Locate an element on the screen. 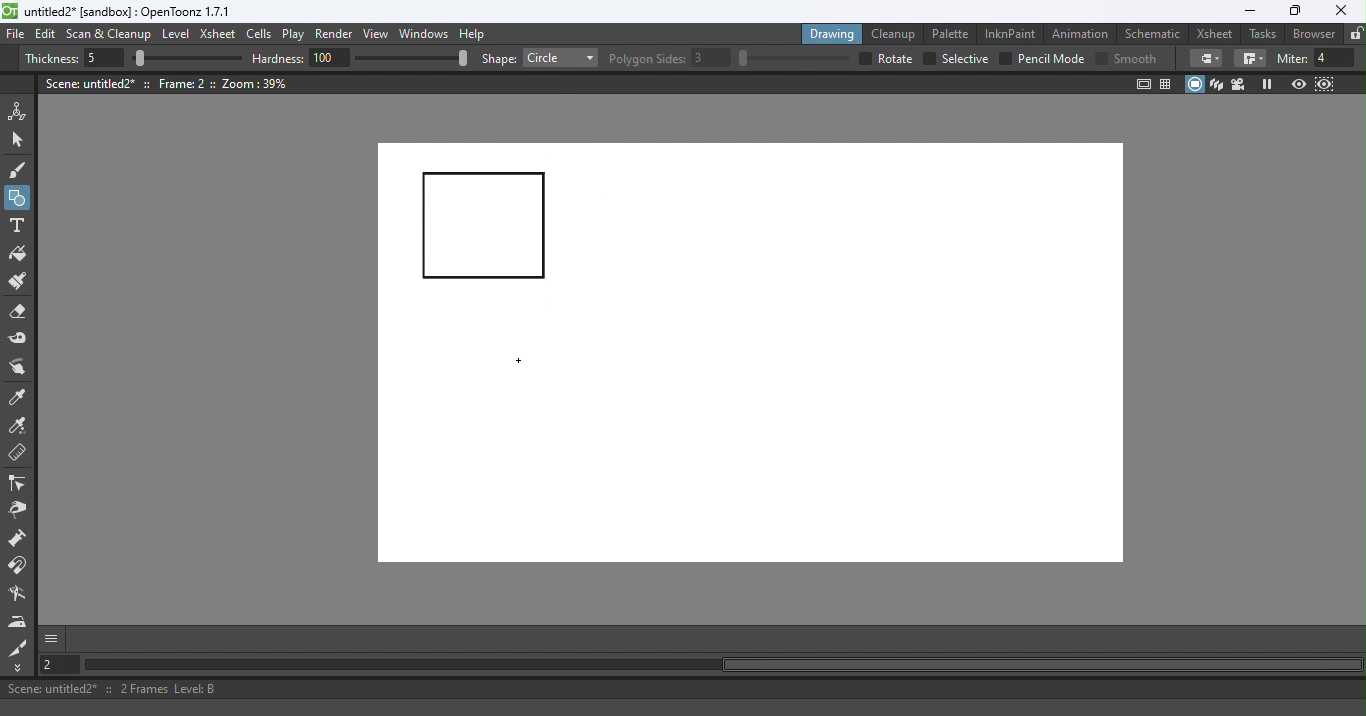 This screenshot has height=716, width=1366. 3D View is located at coordinates (1218, 84).